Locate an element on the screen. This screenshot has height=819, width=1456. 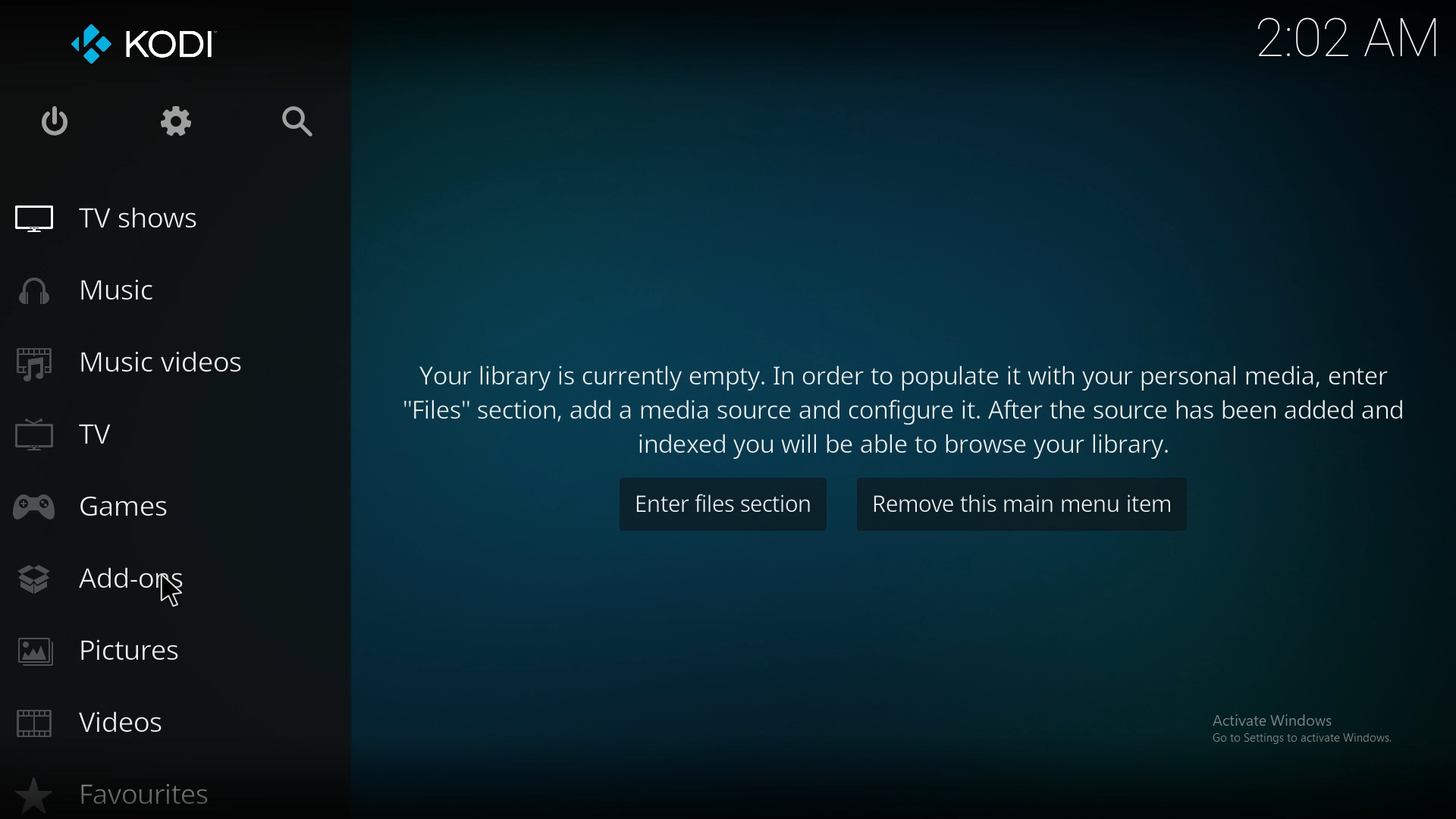
pictures is located at coordinates (125, 651).